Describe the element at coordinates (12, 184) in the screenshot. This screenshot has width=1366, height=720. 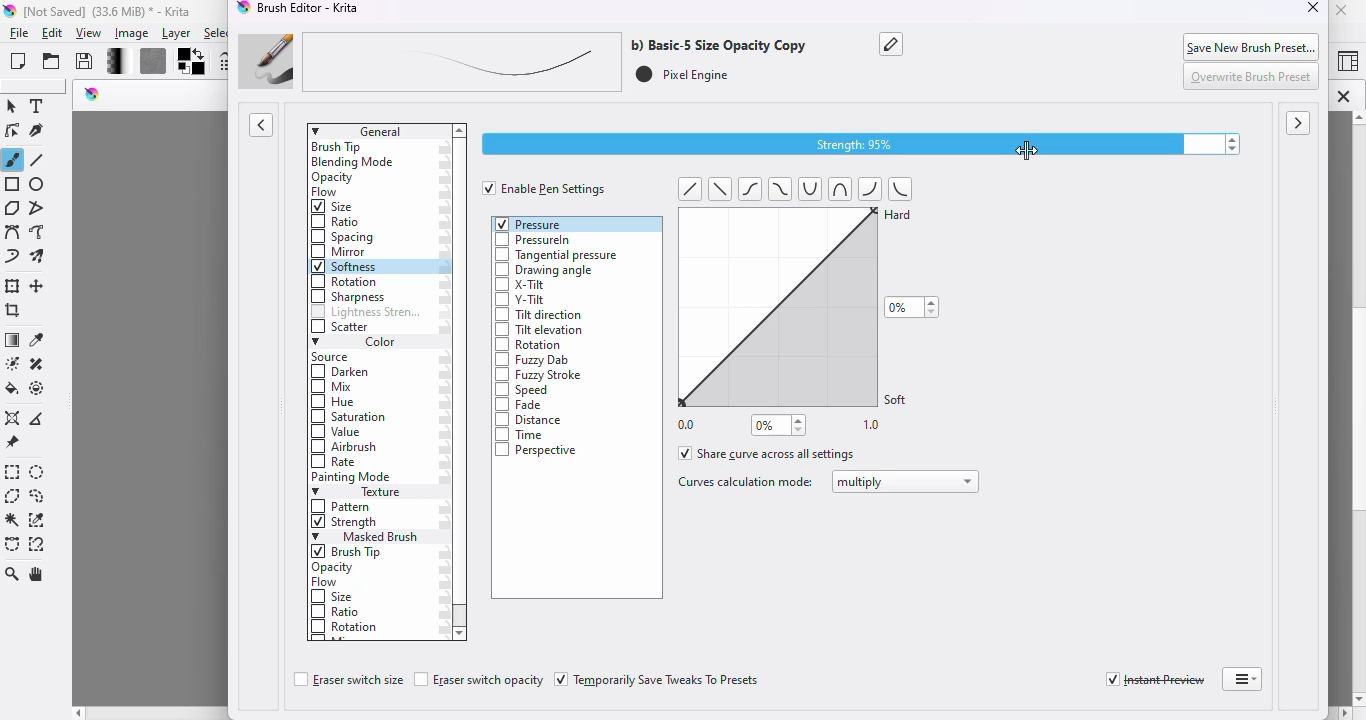
I see `rectangle tool` at that location.